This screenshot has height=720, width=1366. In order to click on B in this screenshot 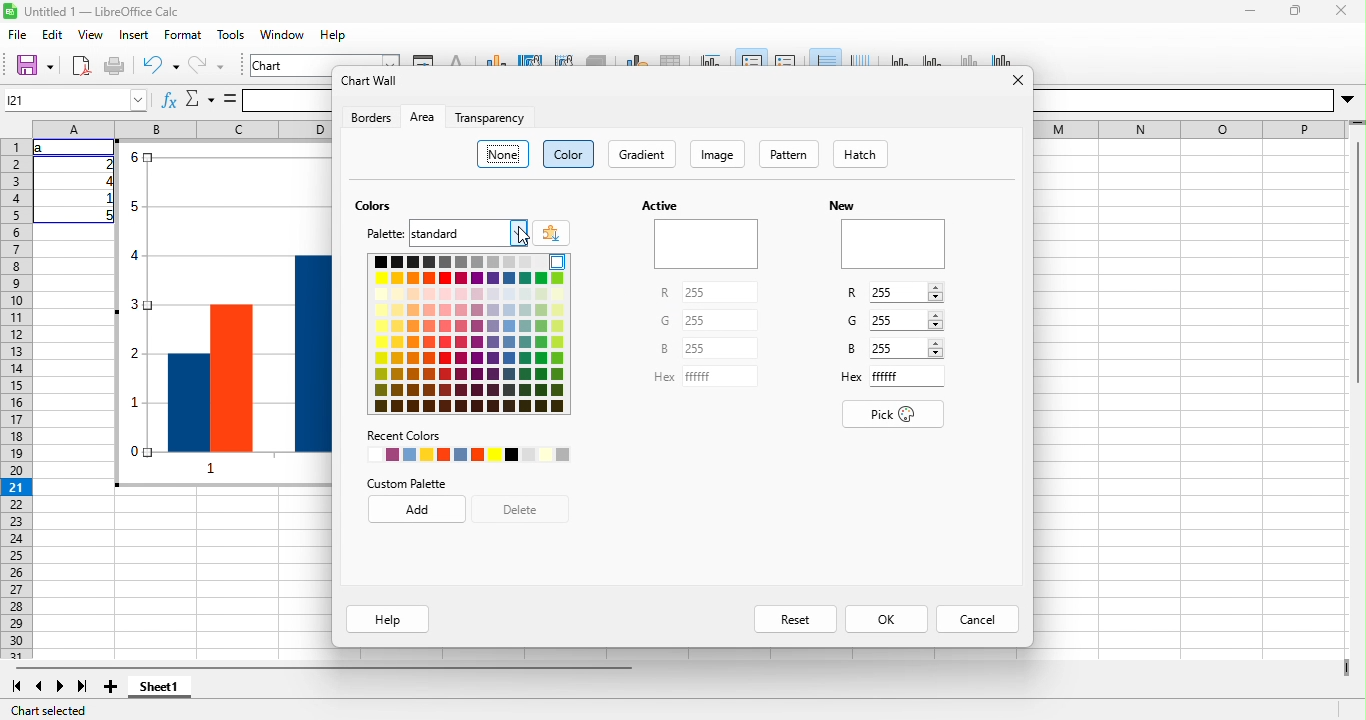, I will do `click(852, 348)`.